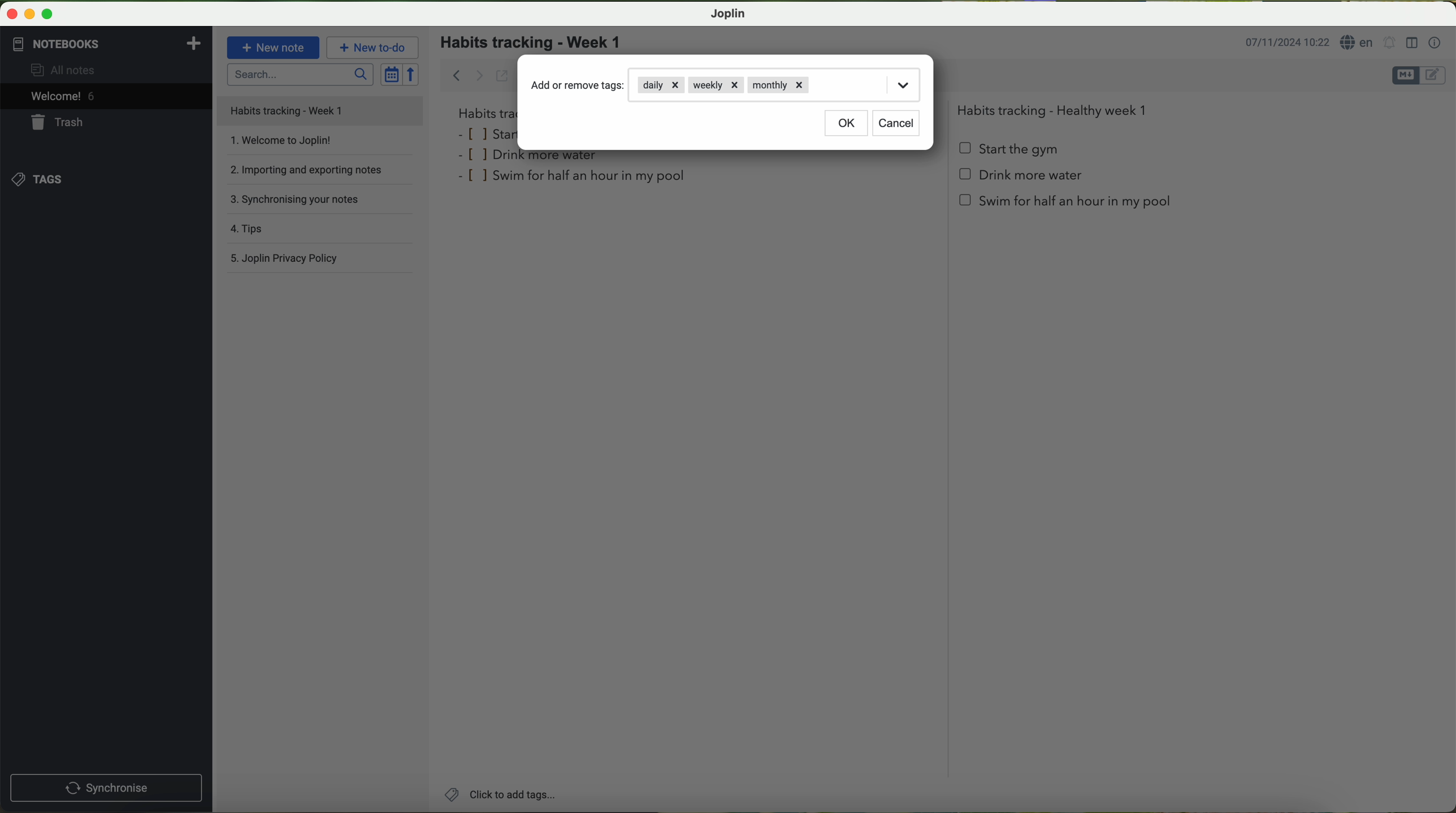 This screenshot has width=1456, height=813. I want to click on Joplin privacy policy, so click(321, 260).